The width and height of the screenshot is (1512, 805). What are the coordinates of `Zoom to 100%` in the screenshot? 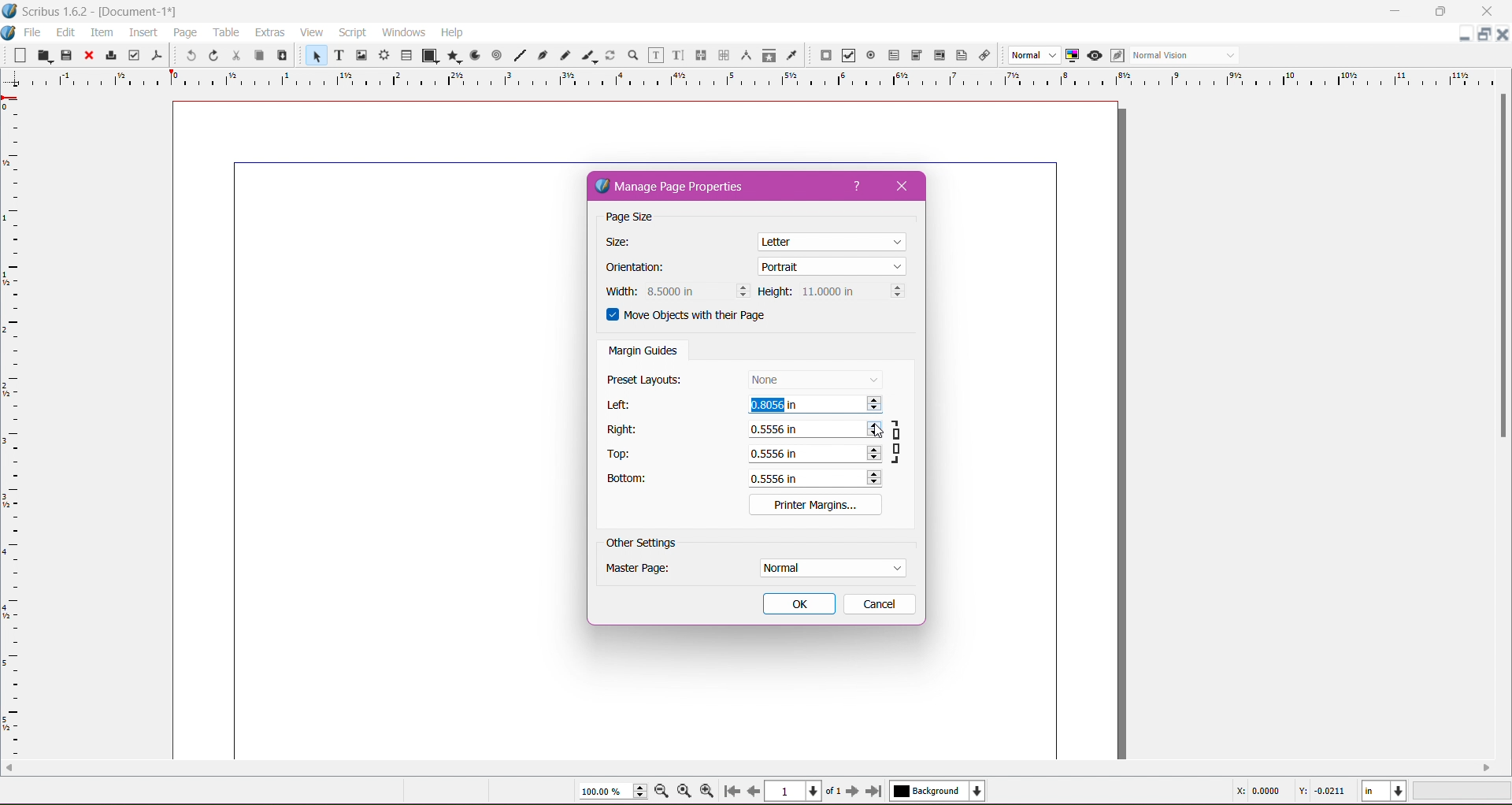 It's located at (684, 790).